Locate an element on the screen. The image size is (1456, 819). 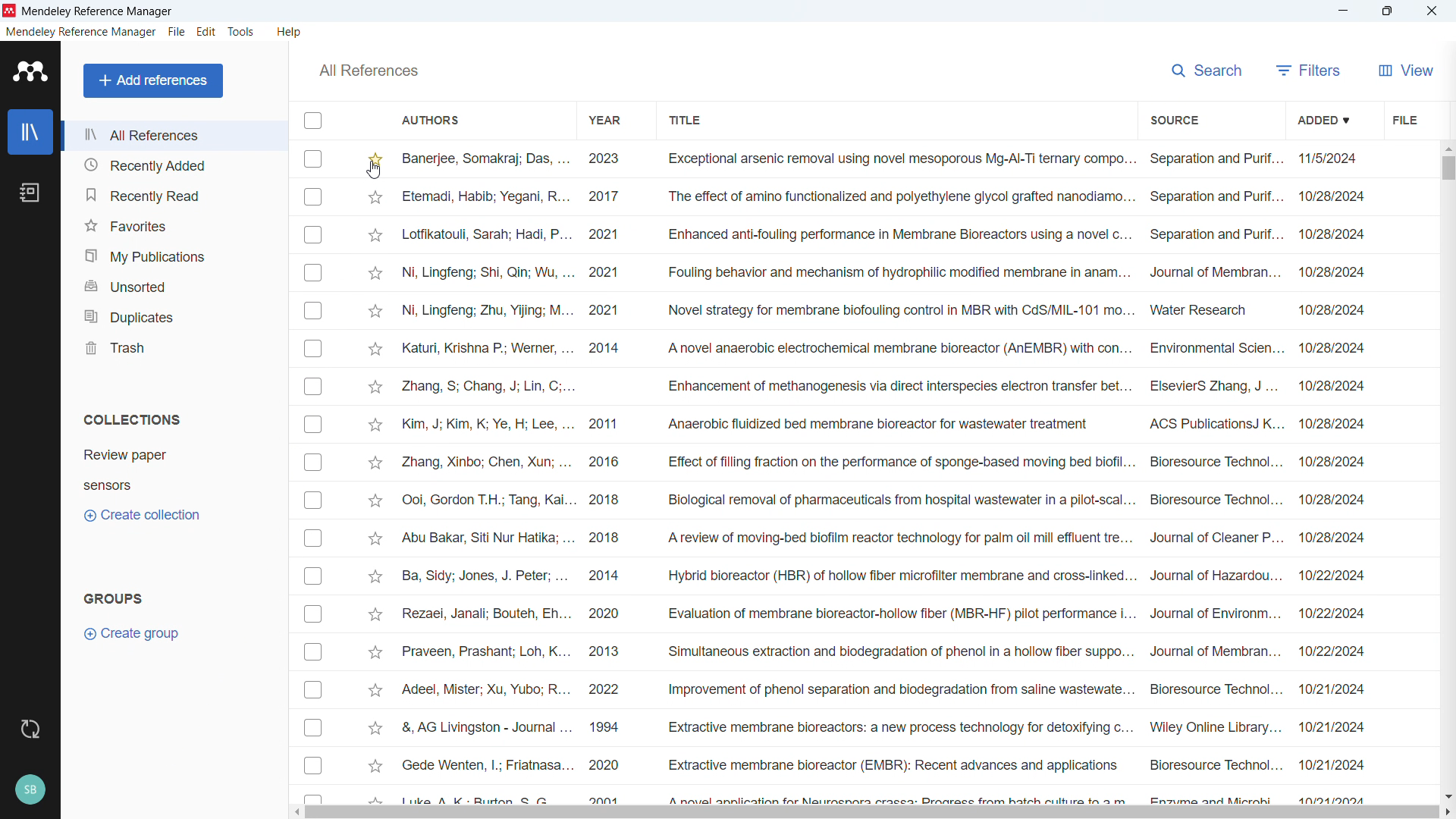
file  is located at coordinates (1403, 119).